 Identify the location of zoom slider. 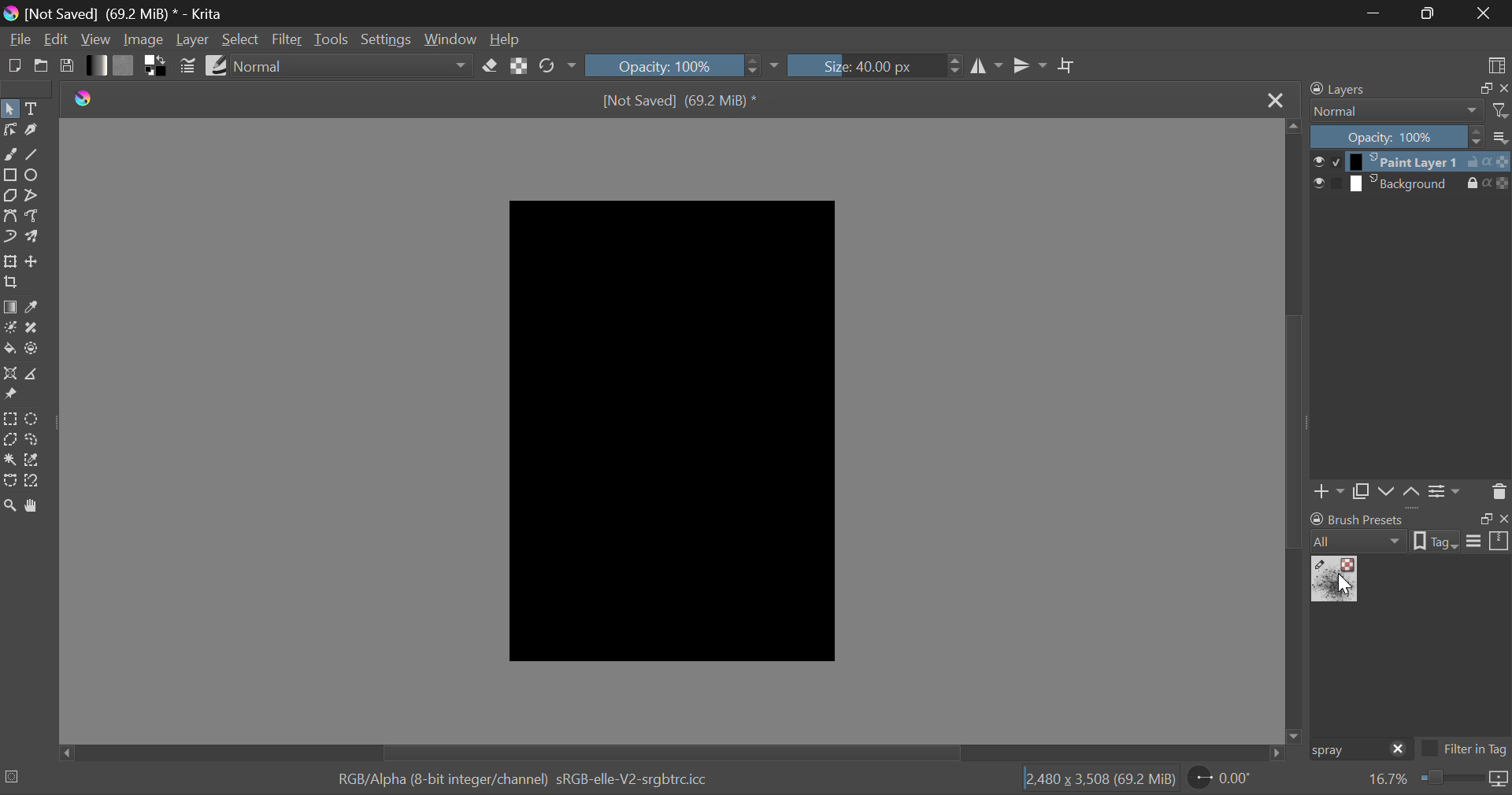
(1450, 779).